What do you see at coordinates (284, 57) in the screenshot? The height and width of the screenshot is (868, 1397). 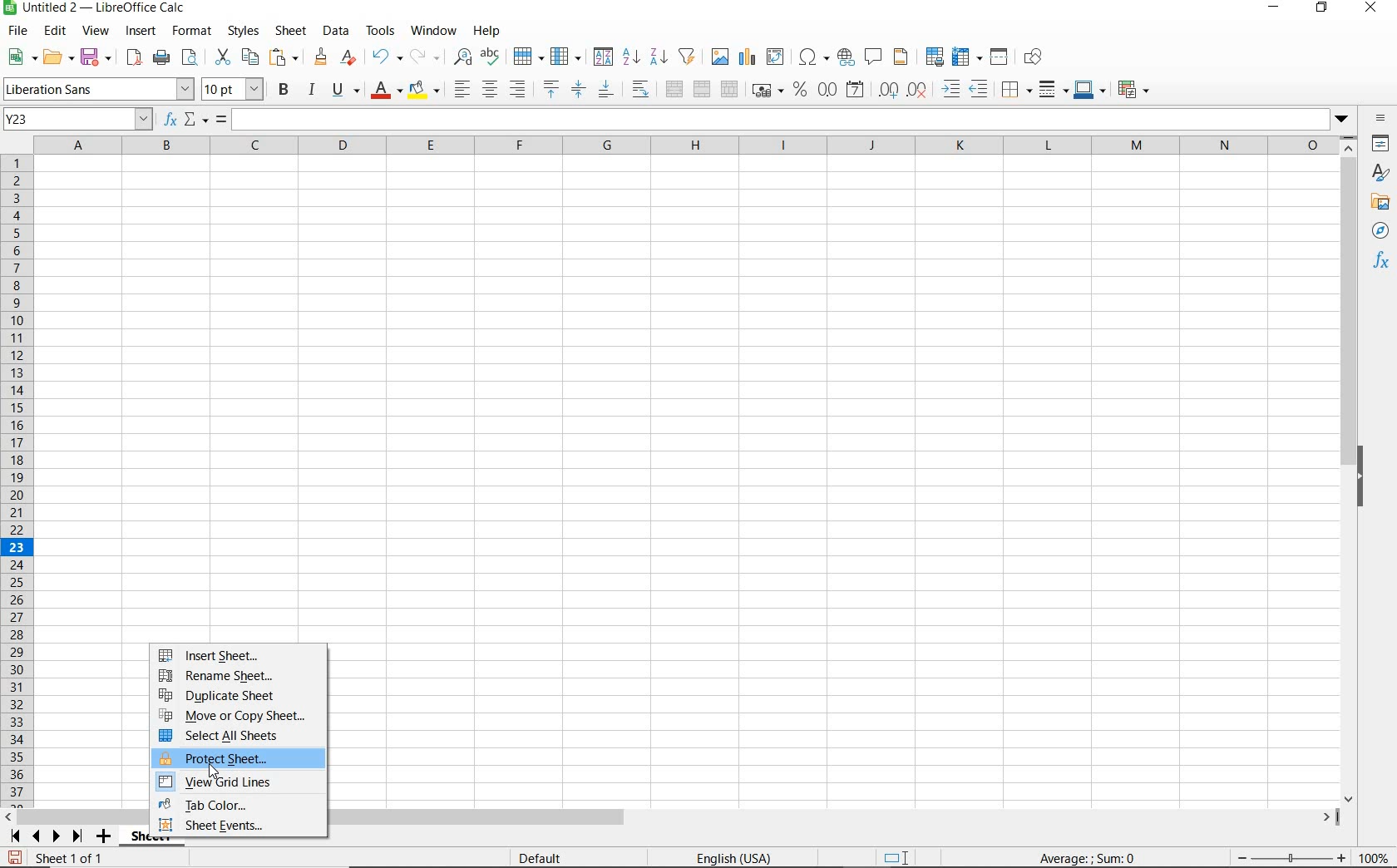 I see `PASTE` at bounding box center [284, 57].